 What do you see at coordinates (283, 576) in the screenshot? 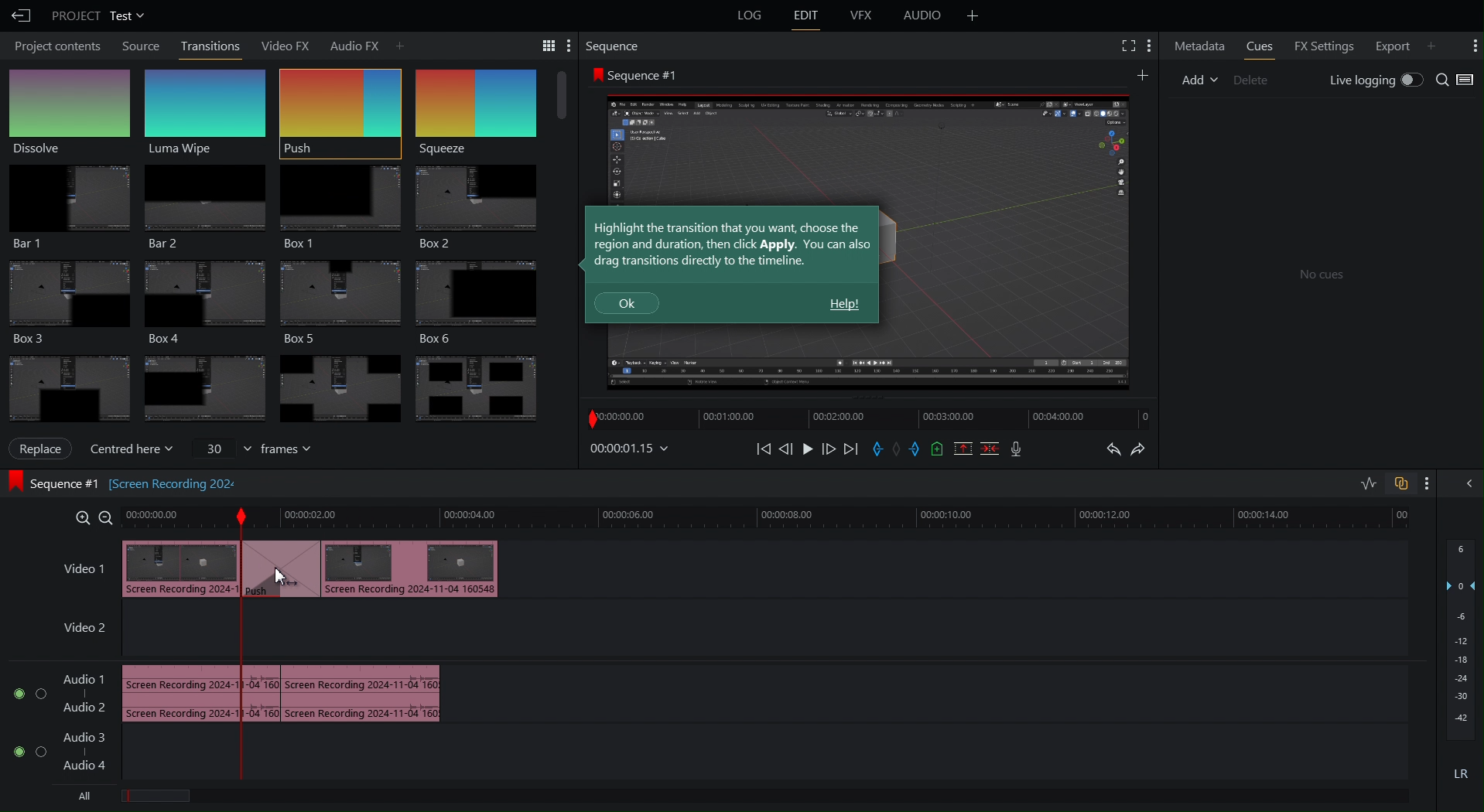
I see `Cursor` at bounding box center [283, 576].